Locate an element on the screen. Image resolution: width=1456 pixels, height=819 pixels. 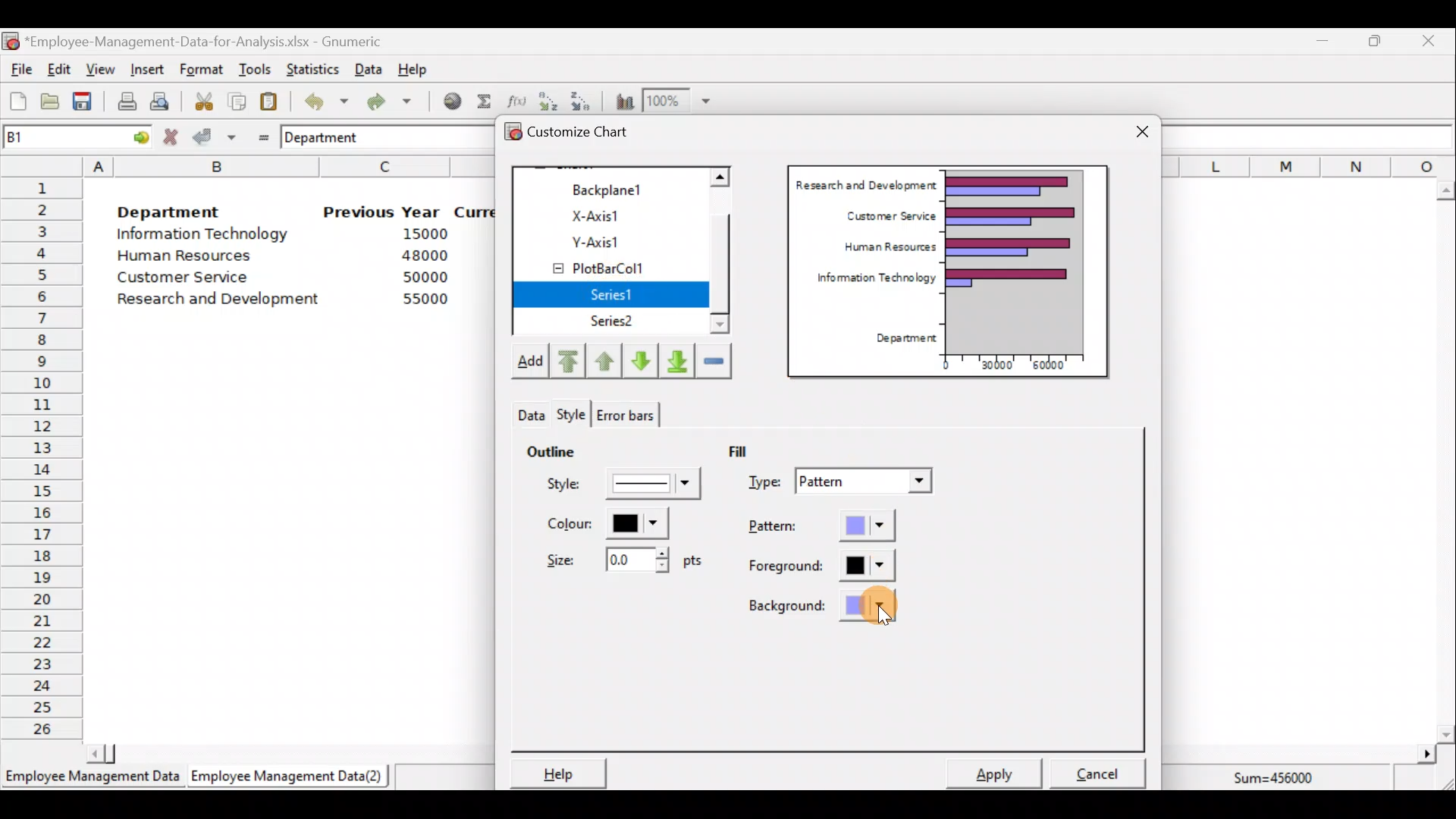
Data is located at coordinates (369, 69).